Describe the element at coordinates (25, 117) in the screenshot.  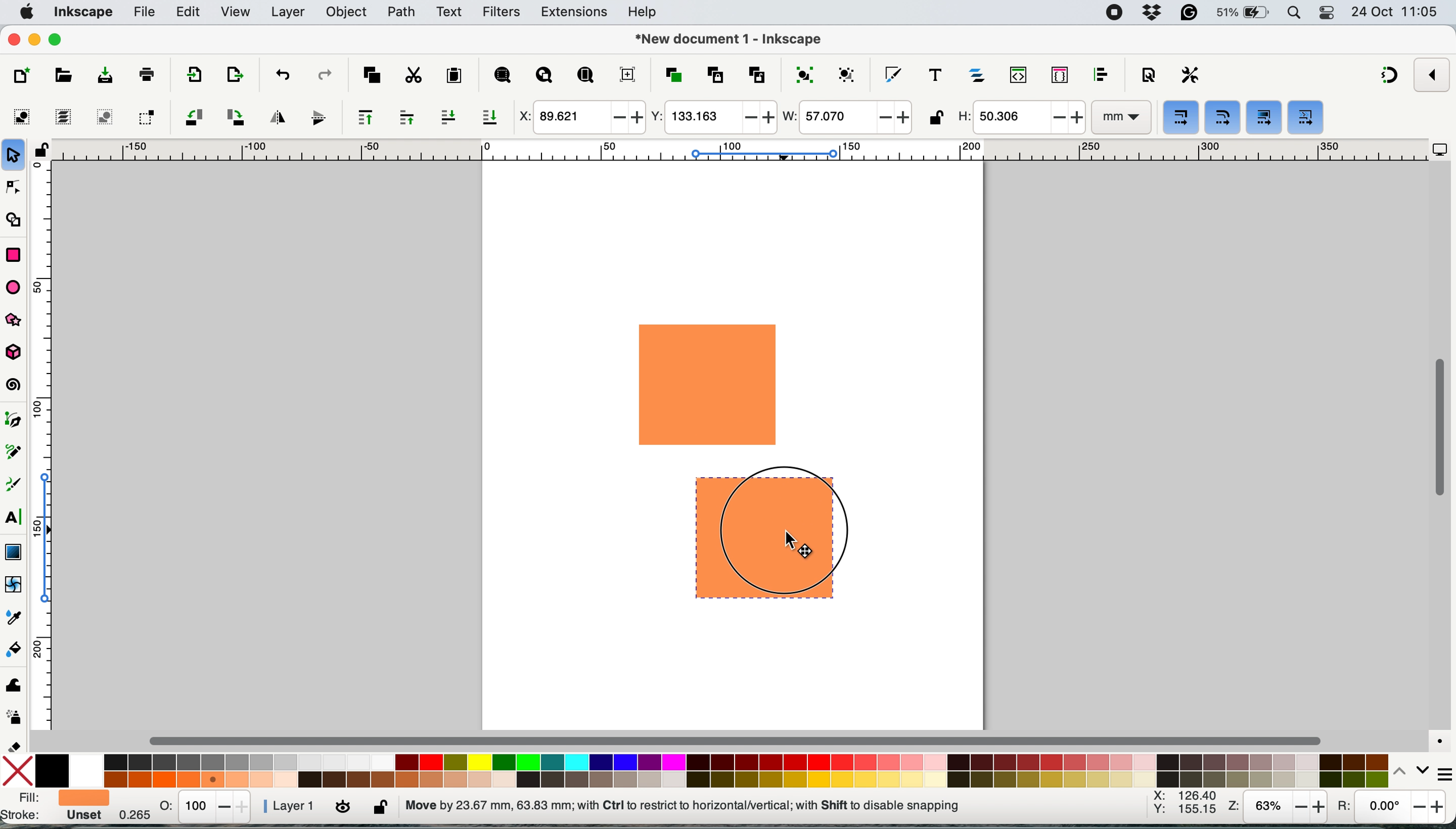
I see `select all objects` at that location.